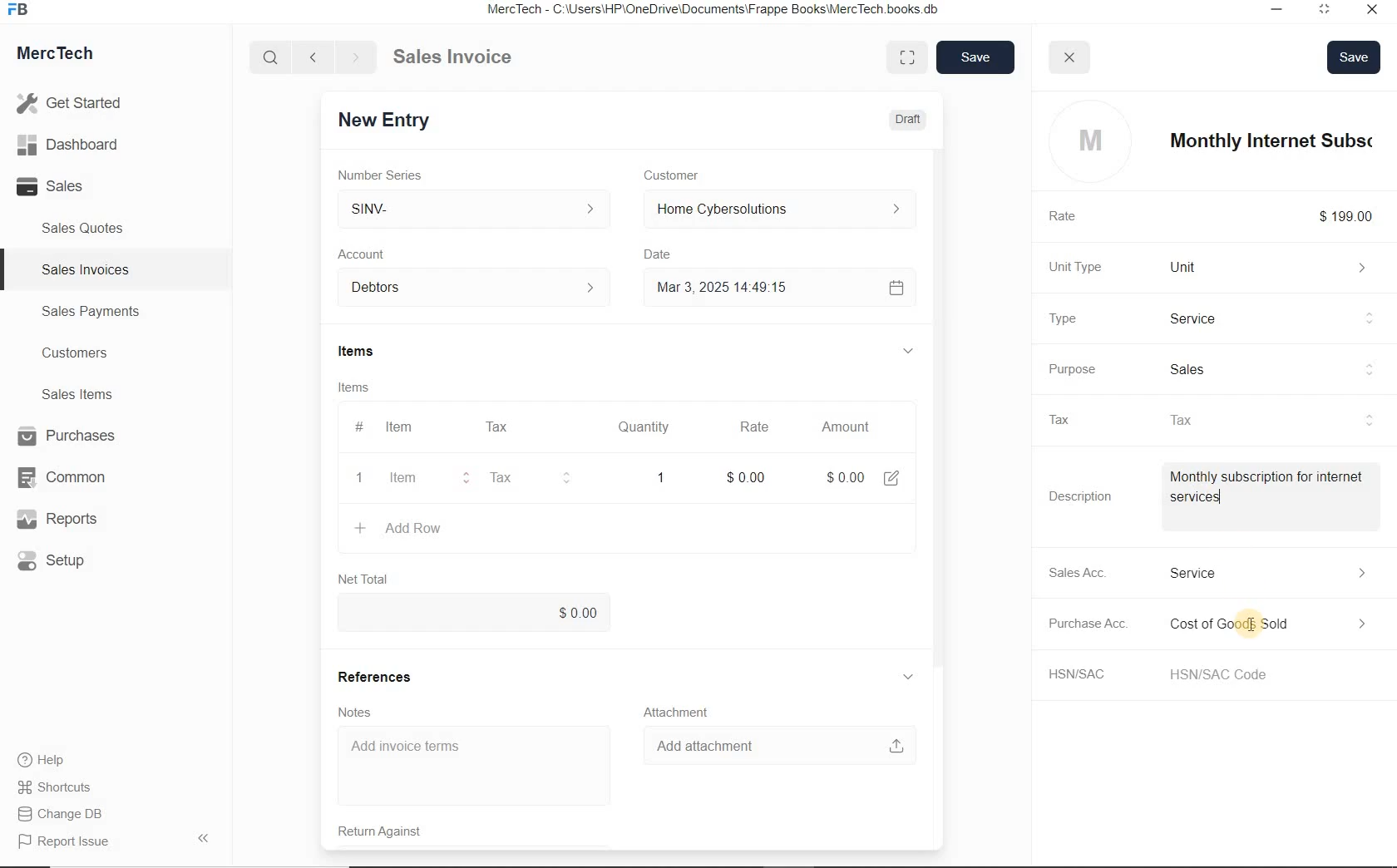 This screenshot has height=868, width=1397. I want to click on $199, so click(1340, 216).